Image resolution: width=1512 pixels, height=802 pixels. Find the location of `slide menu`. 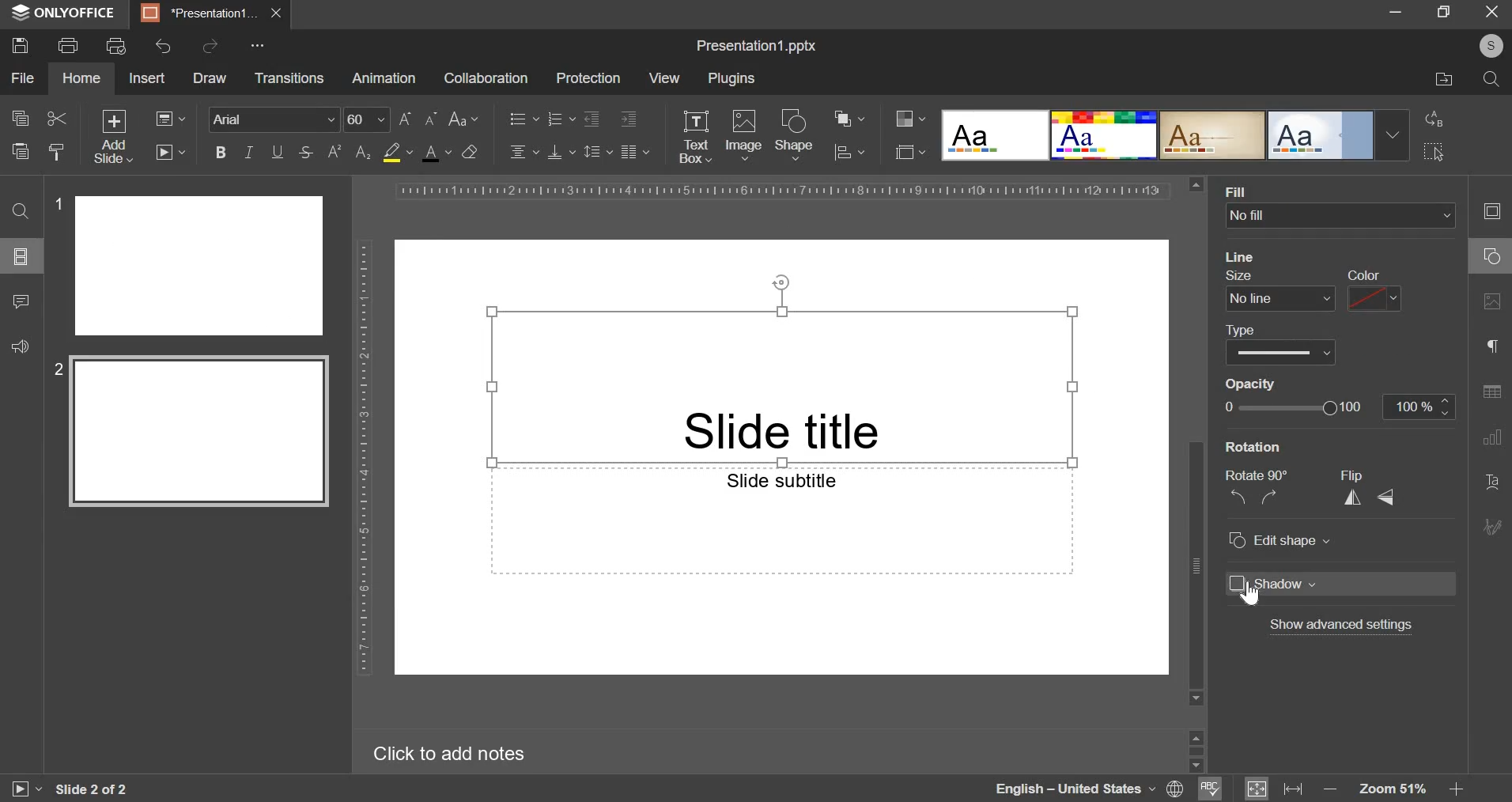

slide menu is located at coordinates (19, 255).